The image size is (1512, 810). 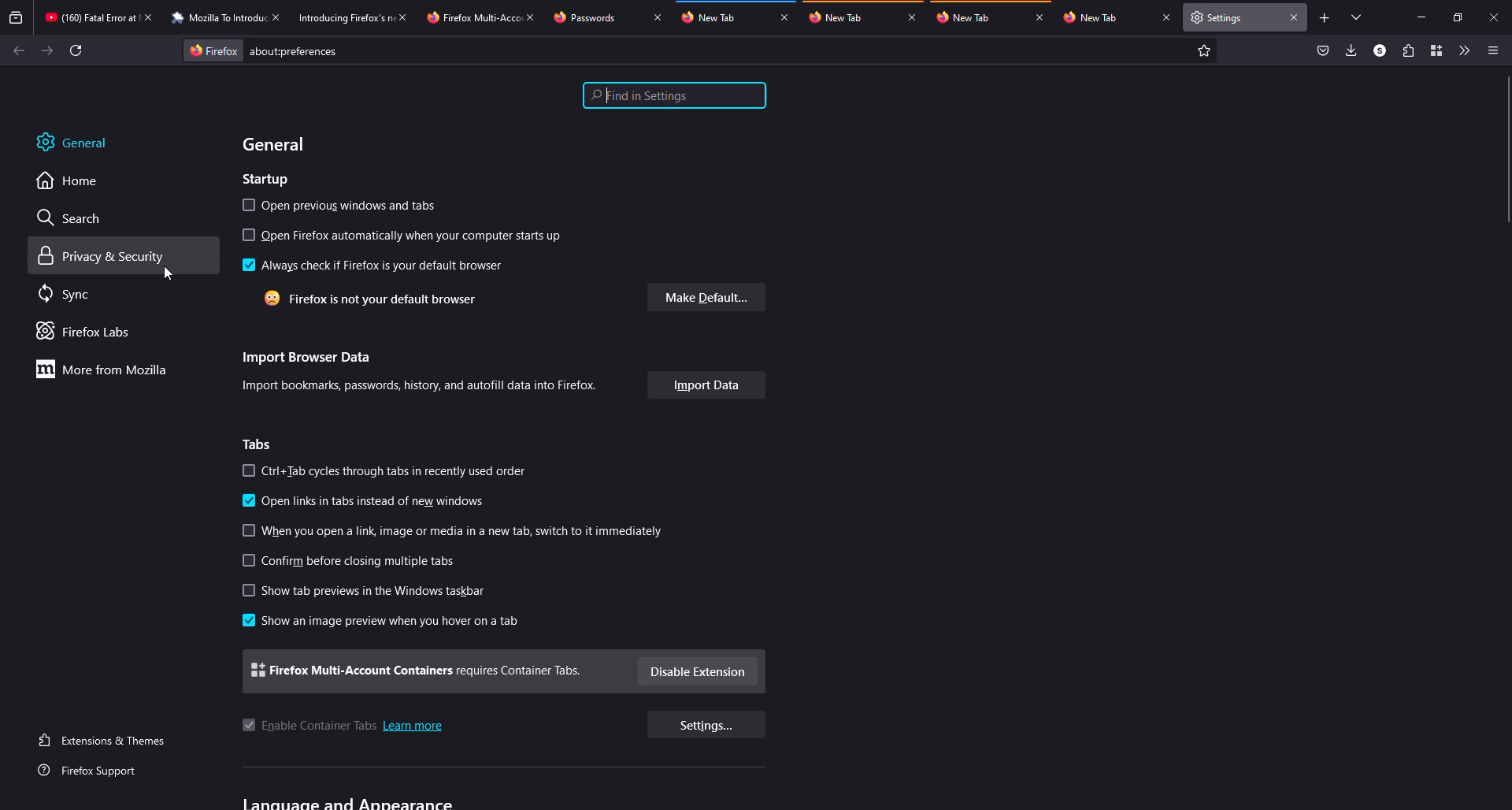 I want to click on general, so click(x=274, y=142).